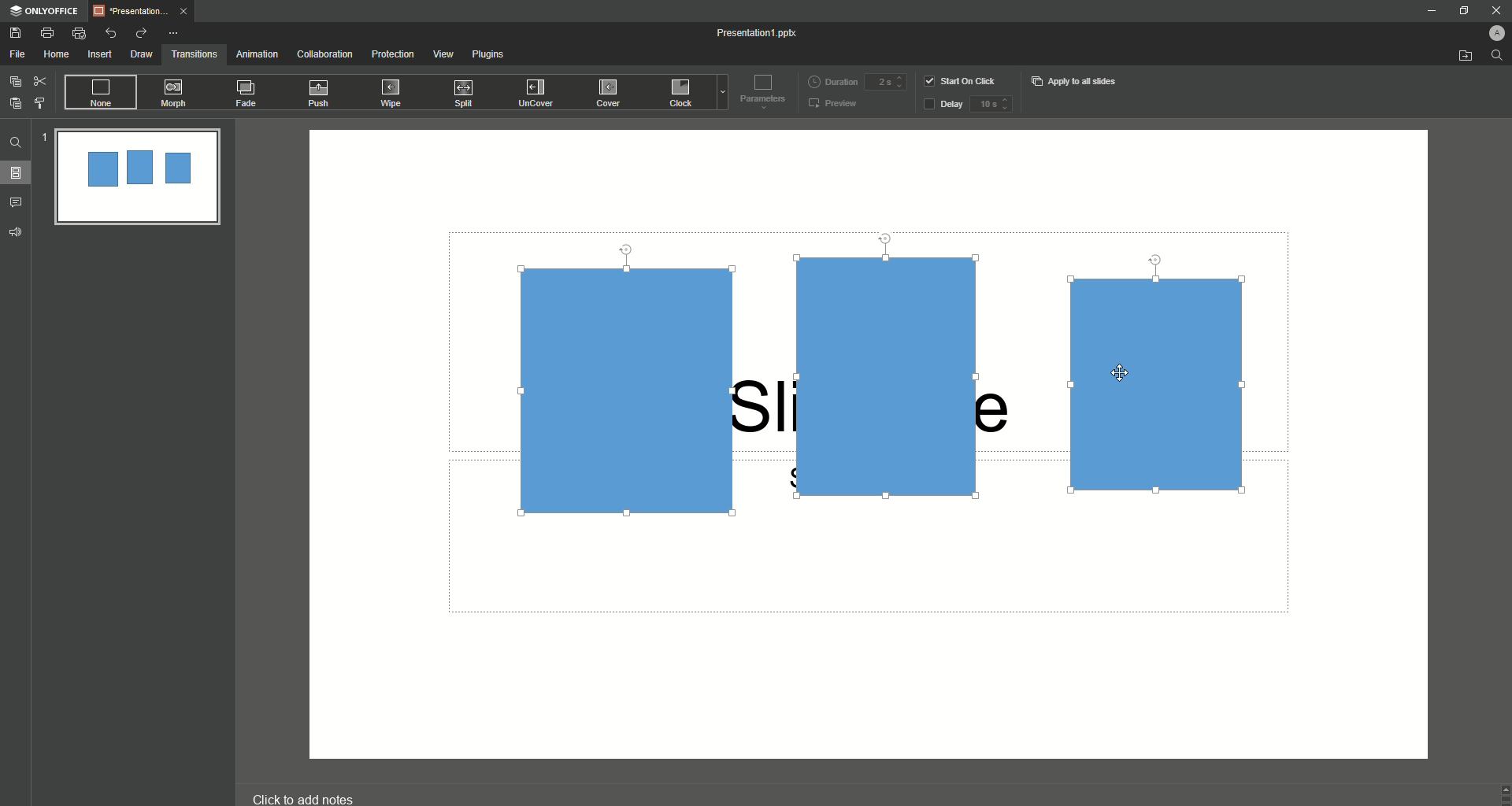  I want to click on search, so click(1498, 59).